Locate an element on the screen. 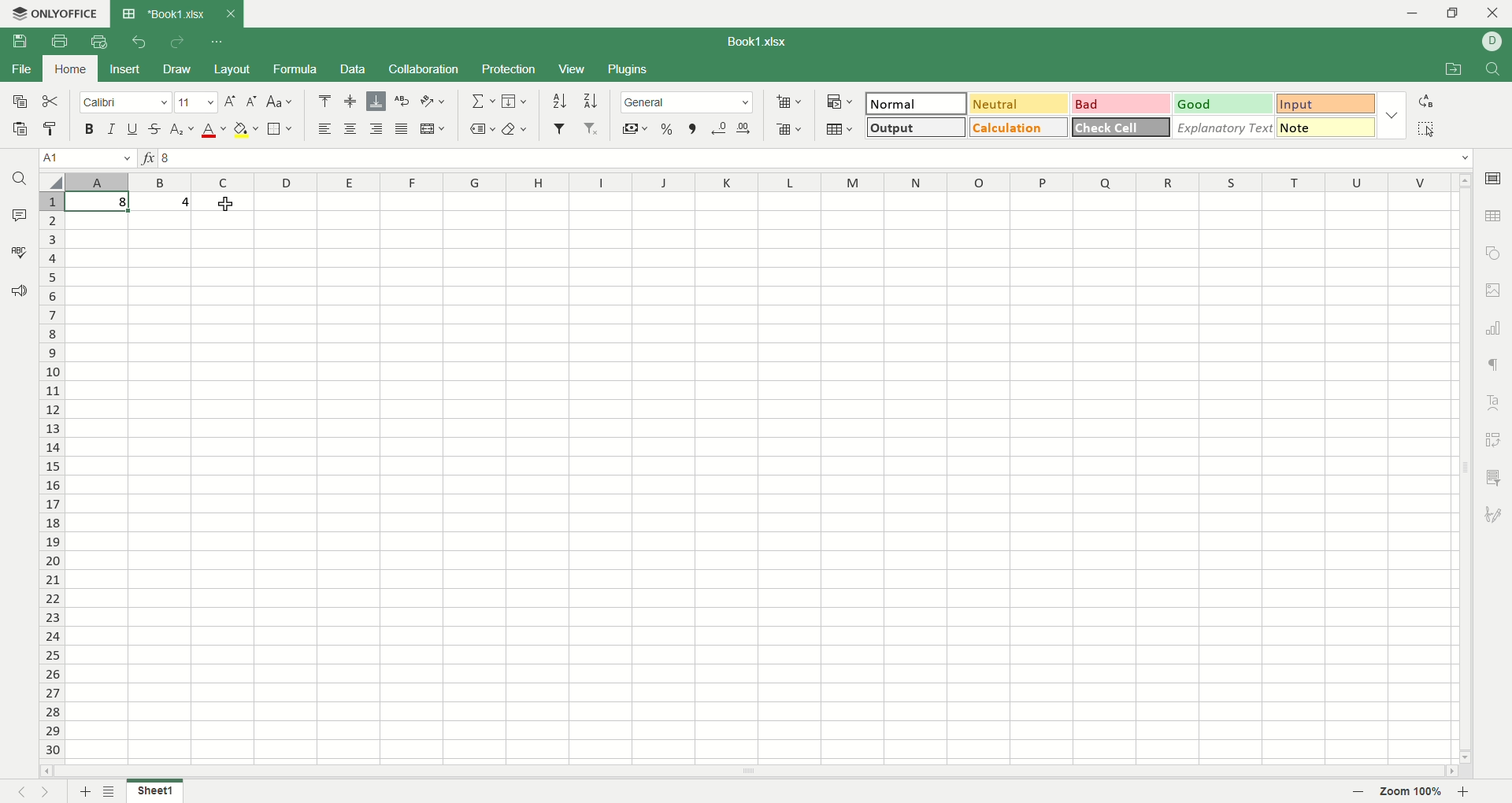  good is located at coordinates (1224, 104).